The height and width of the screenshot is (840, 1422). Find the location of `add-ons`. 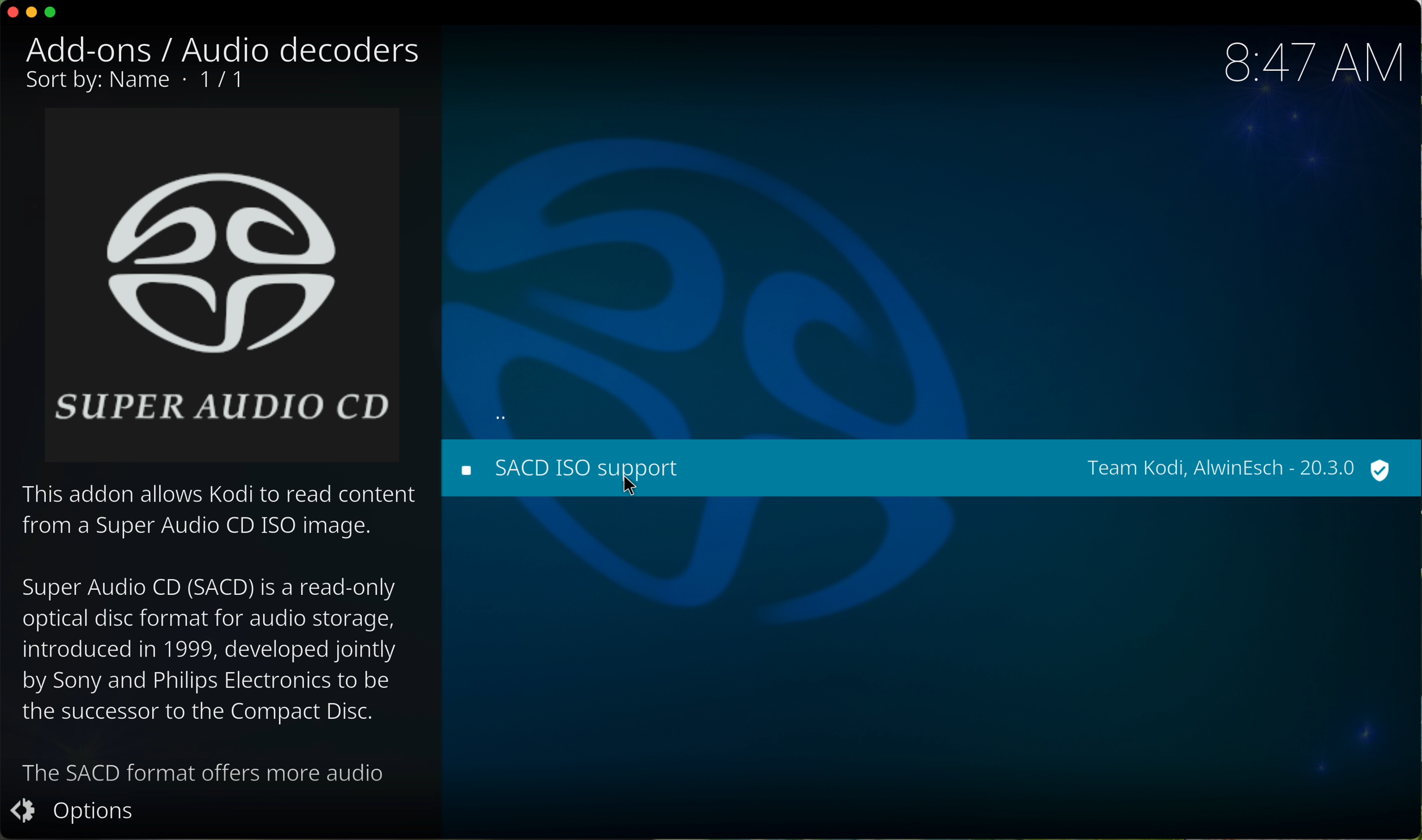

add-ons is located at coordinates (96, 49).